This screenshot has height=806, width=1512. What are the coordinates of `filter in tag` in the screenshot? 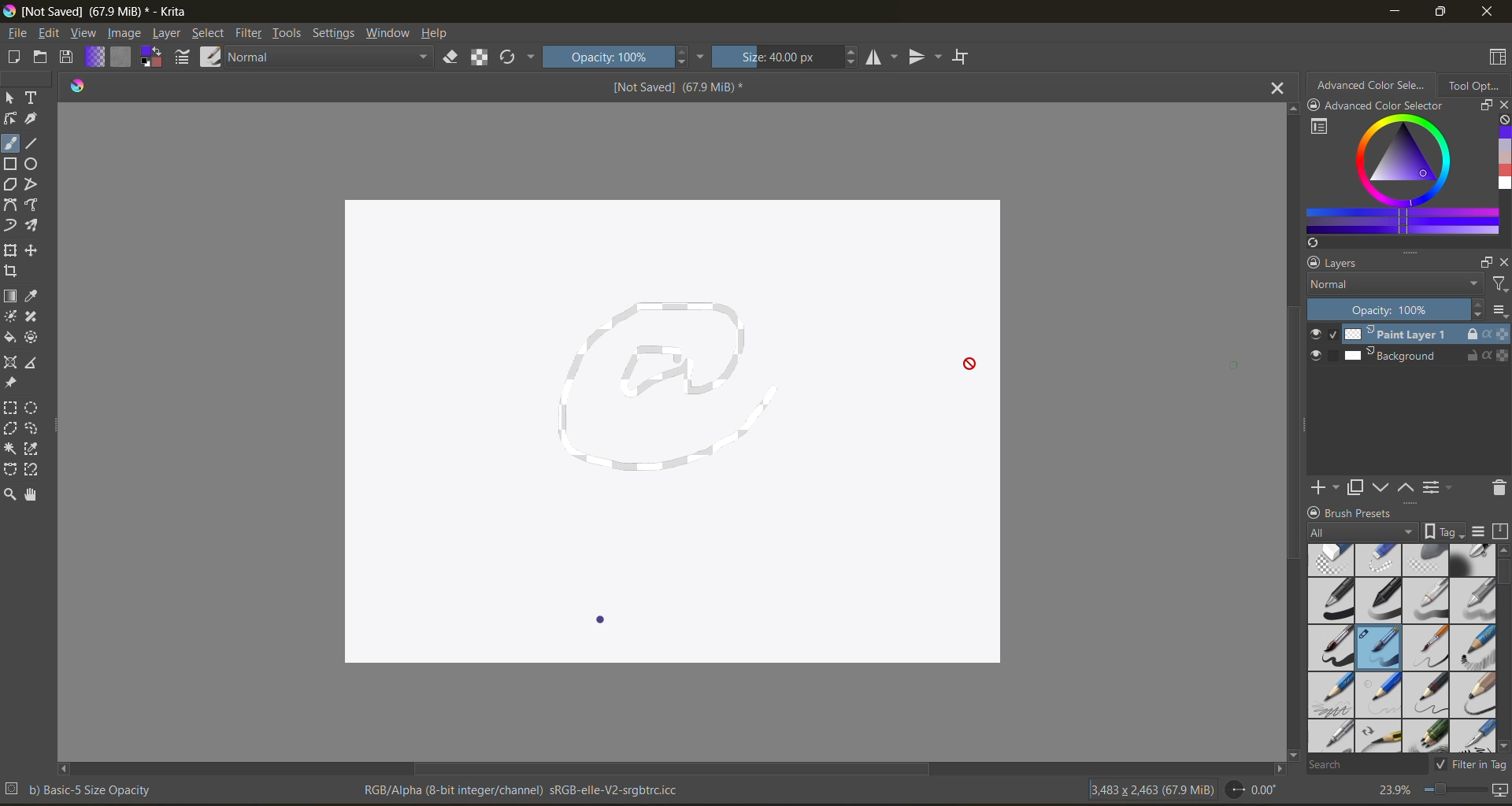 It's located at (1470, 763).